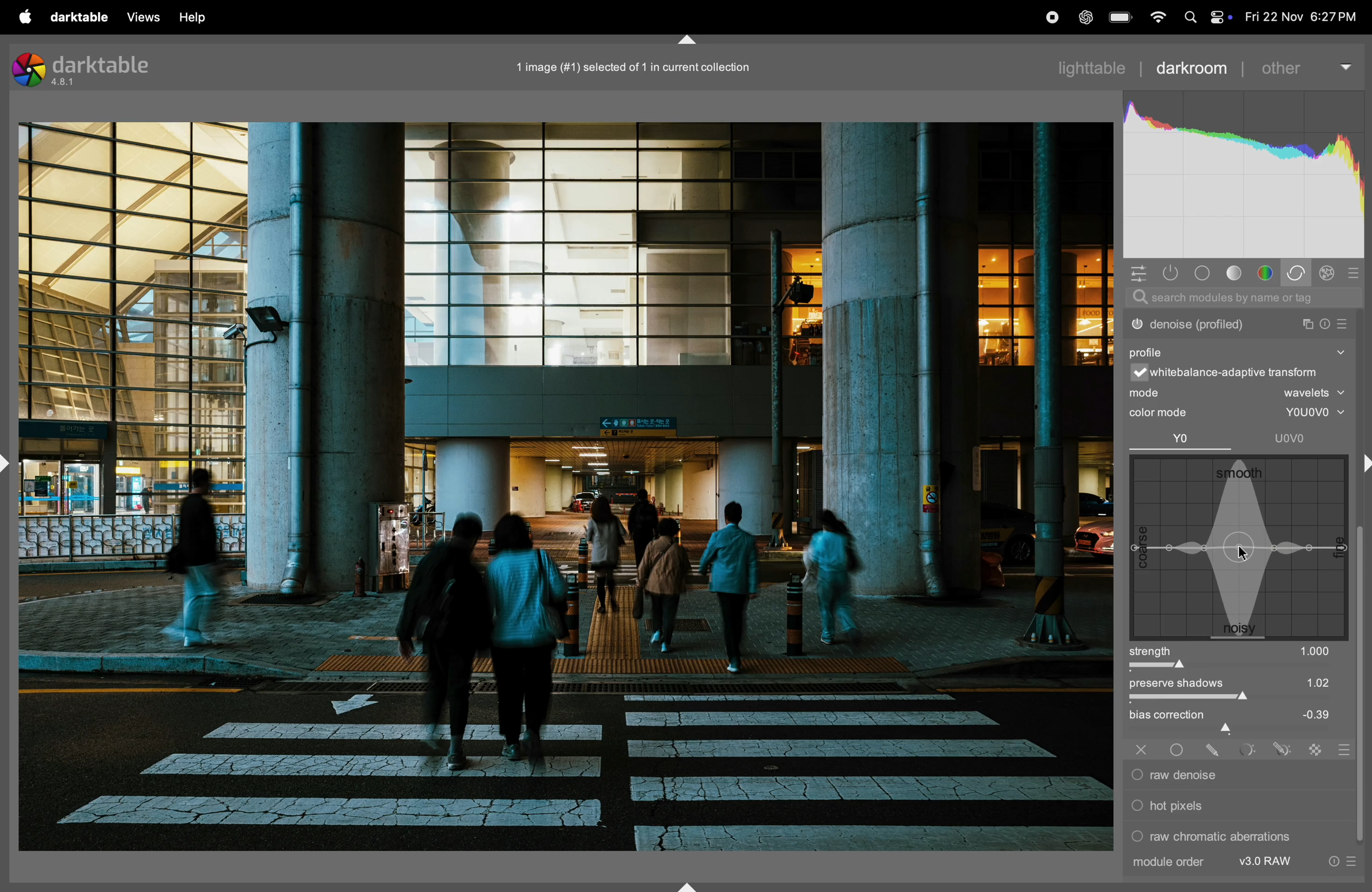 Image resolution: width=1372 pixels, height=892 pixels. Describe the element at coordinates (1142, 750) in the screenshot. I see `off` at that location.